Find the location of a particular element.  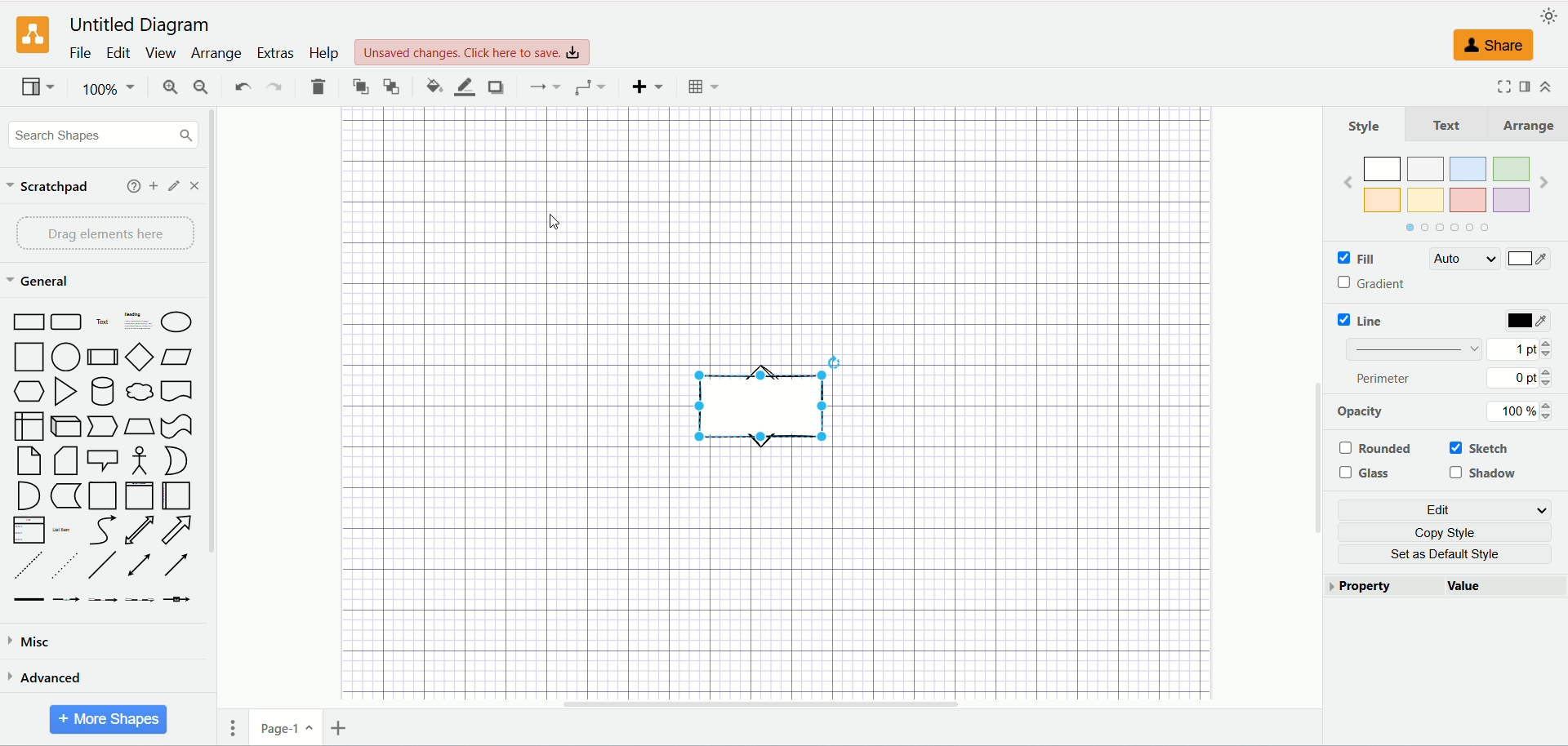

0 pt is located at coordinates (1522, 379).